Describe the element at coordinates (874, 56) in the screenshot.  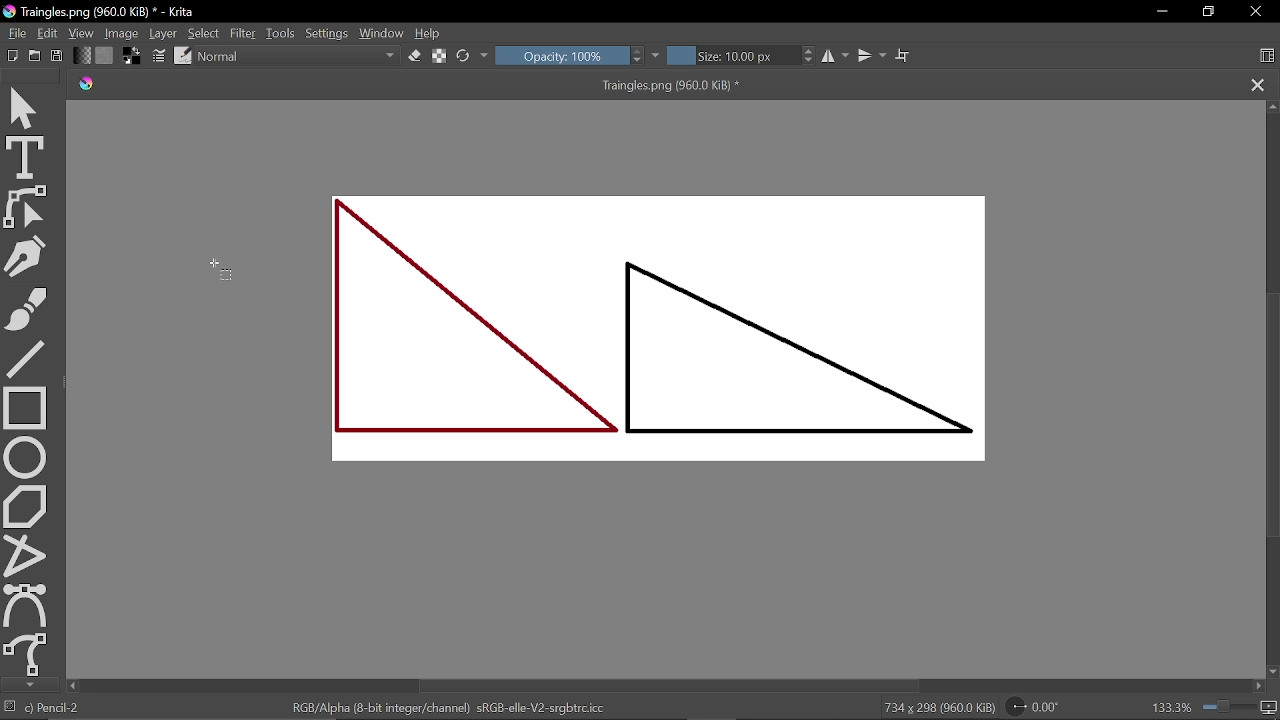
I see `Vertical mirror tool` at that location.